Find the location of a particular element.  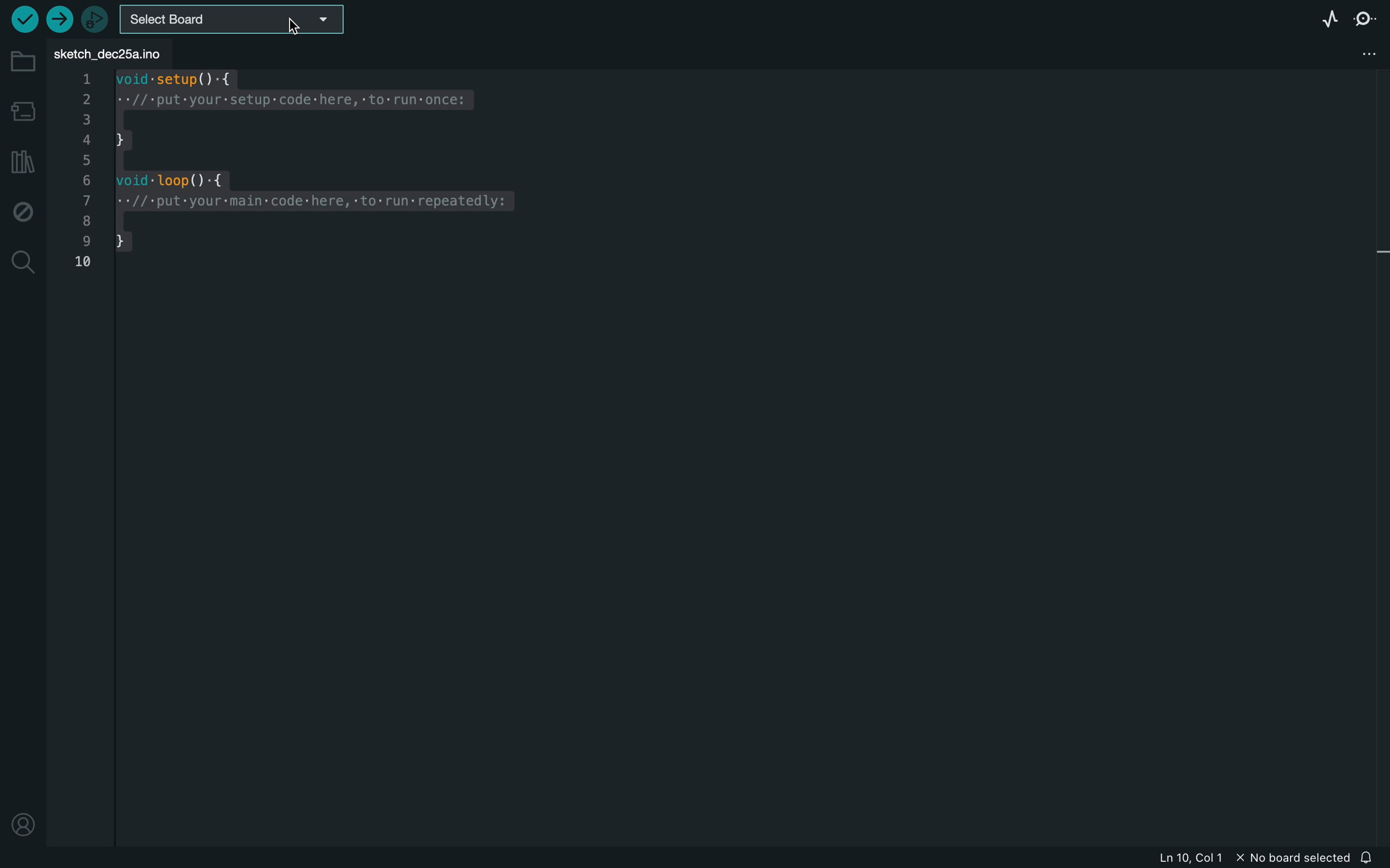

file tab is located at coordinates (123, 52).